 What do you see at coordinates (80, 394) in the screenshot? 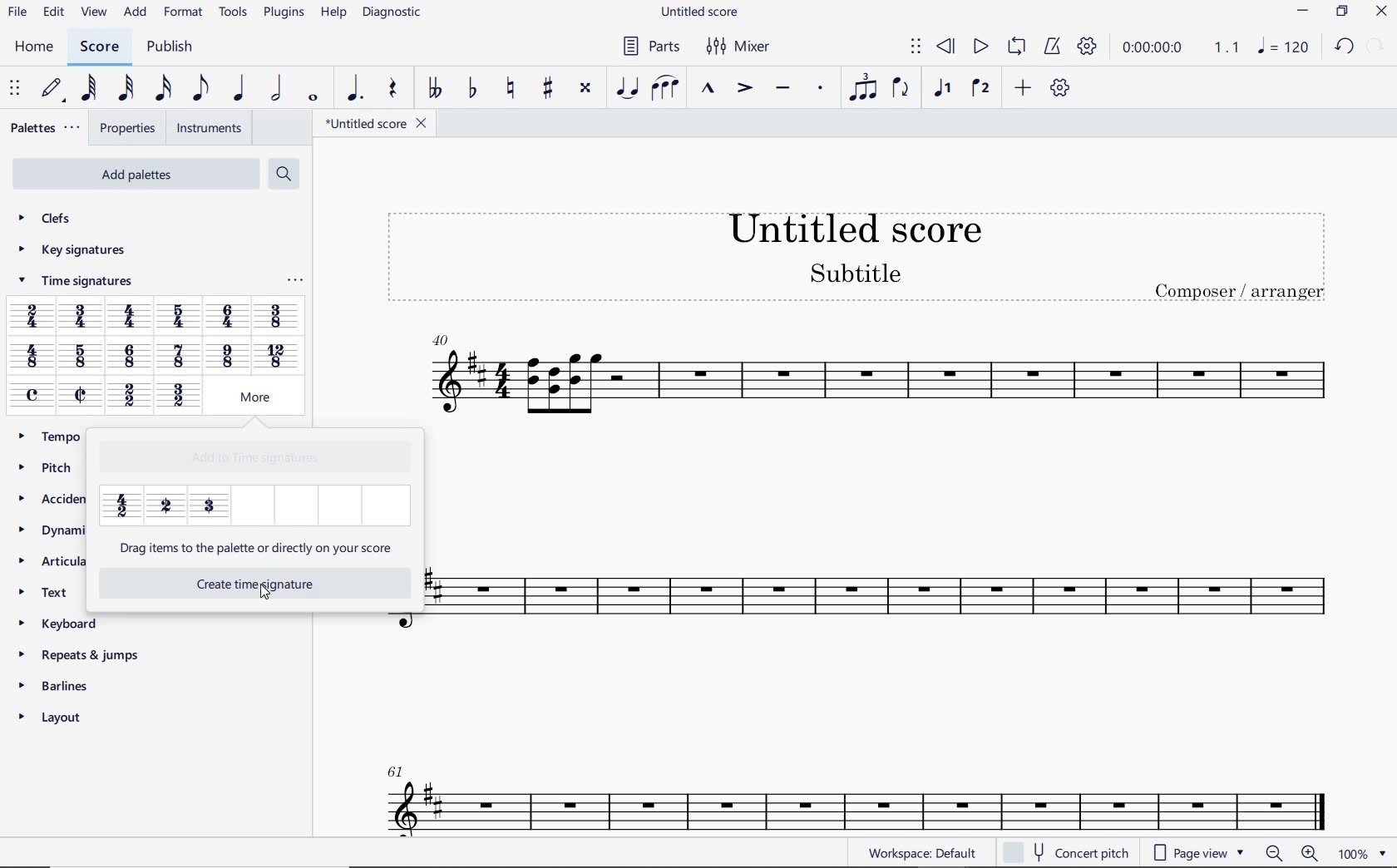
I see `cut time` at bounding box center [80, 394].